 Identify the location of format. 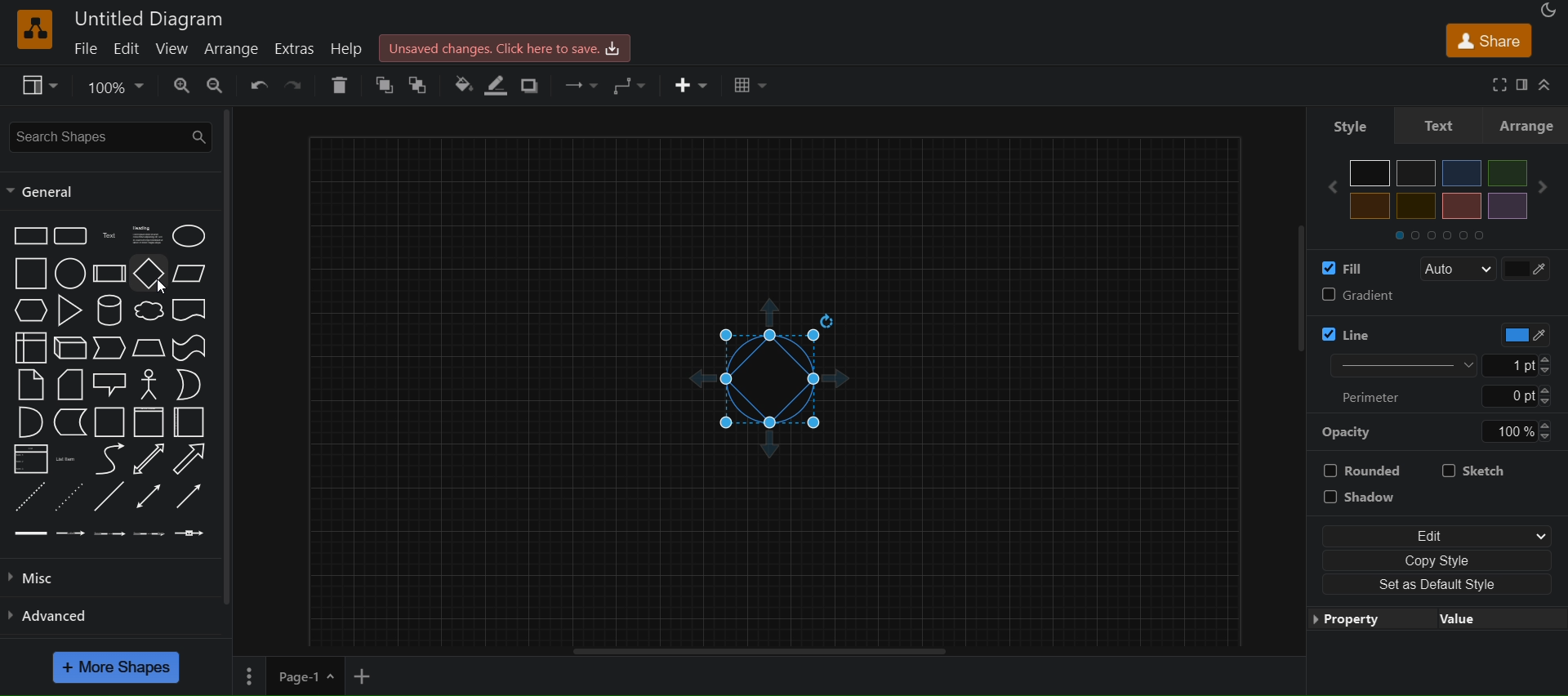
(1524, 85).